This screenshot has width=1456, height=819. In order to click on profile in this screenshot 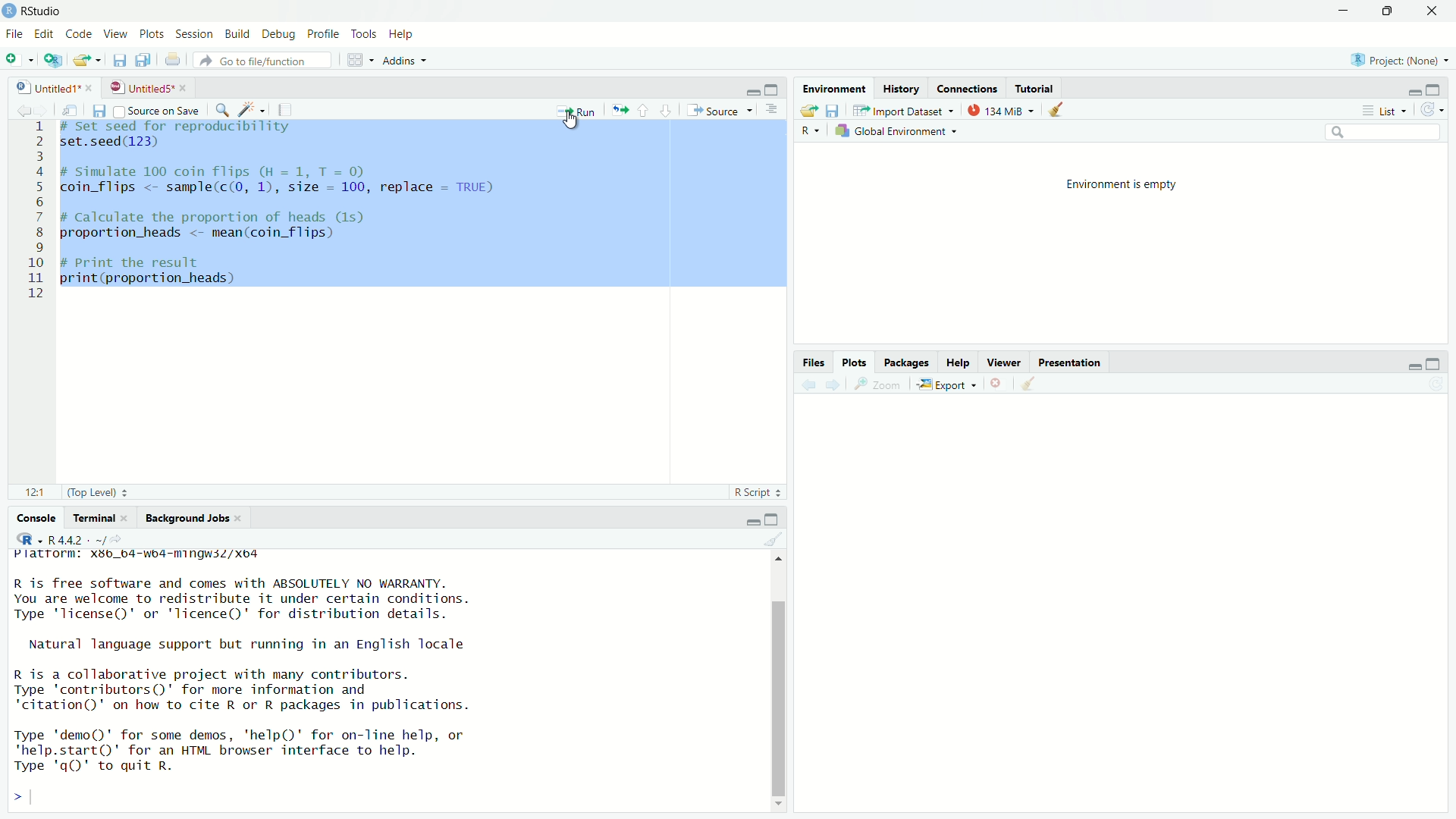, I will do `click(325, 33)`.